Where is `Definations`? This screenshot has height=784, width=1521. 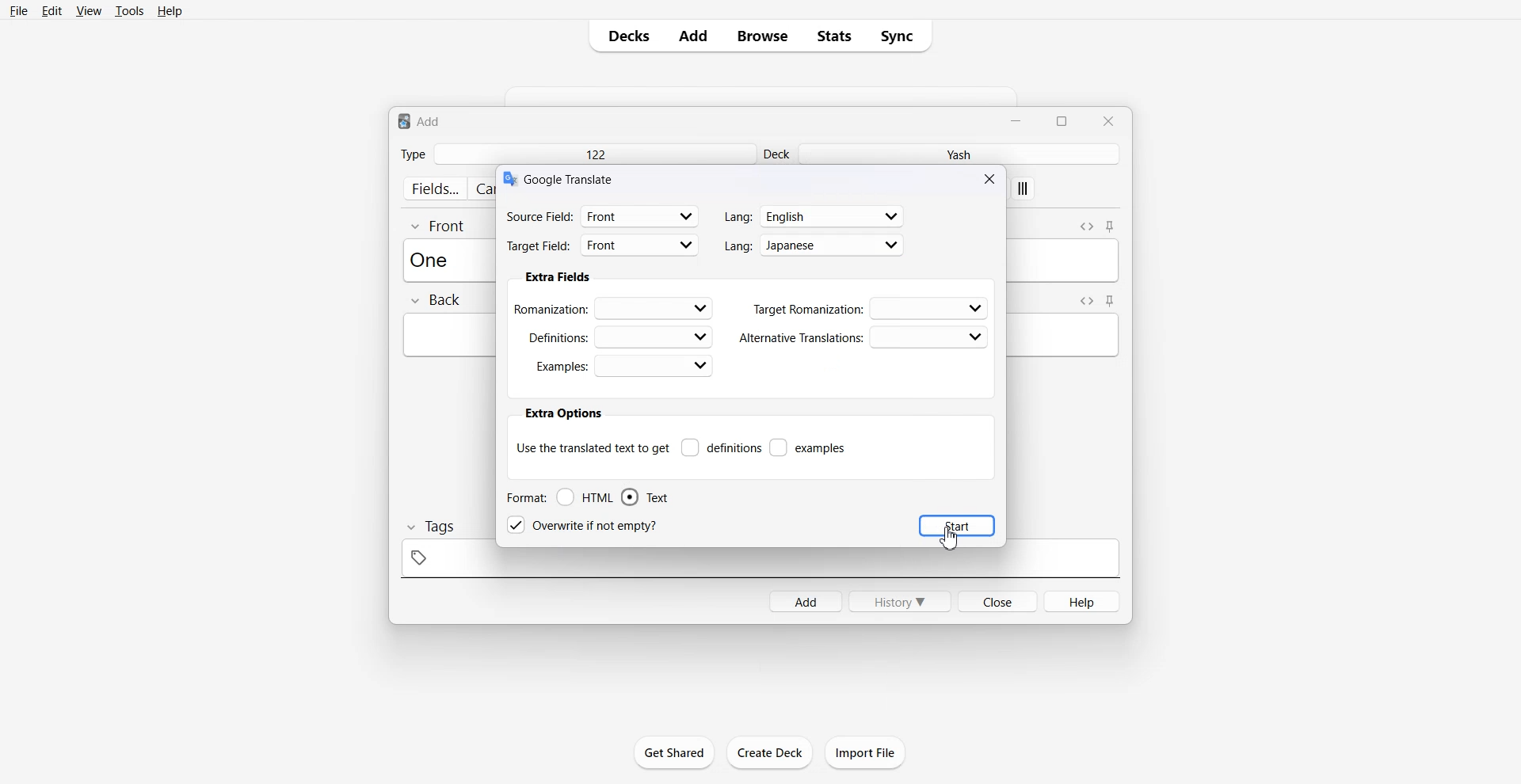 Definations is located at coordinates (618, 336).